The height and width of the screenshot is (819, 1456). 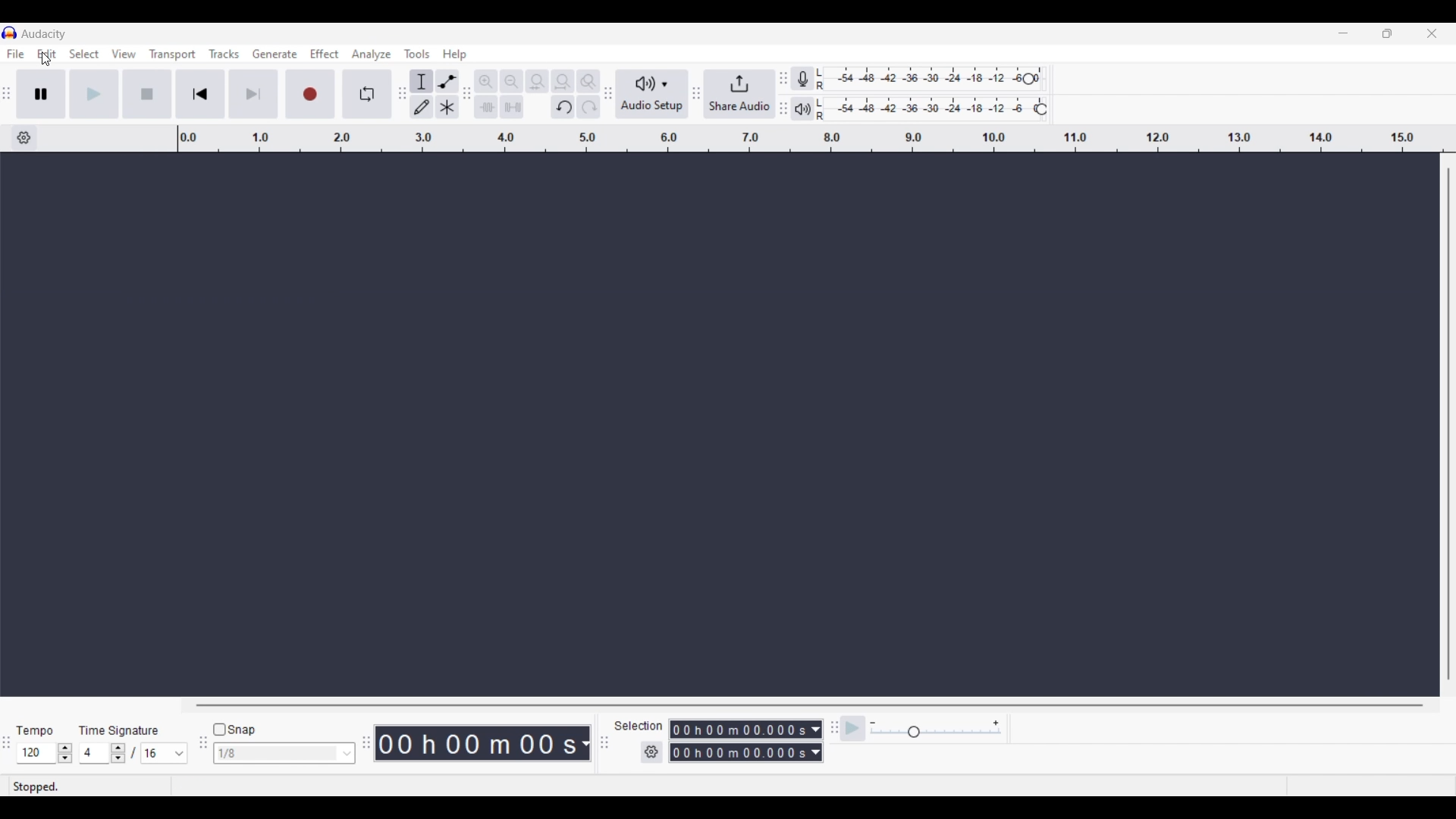 What do you see at coordinates (235, 730) in the screenshot?
I see `Snap toggle` at bounding box center [235, 730].